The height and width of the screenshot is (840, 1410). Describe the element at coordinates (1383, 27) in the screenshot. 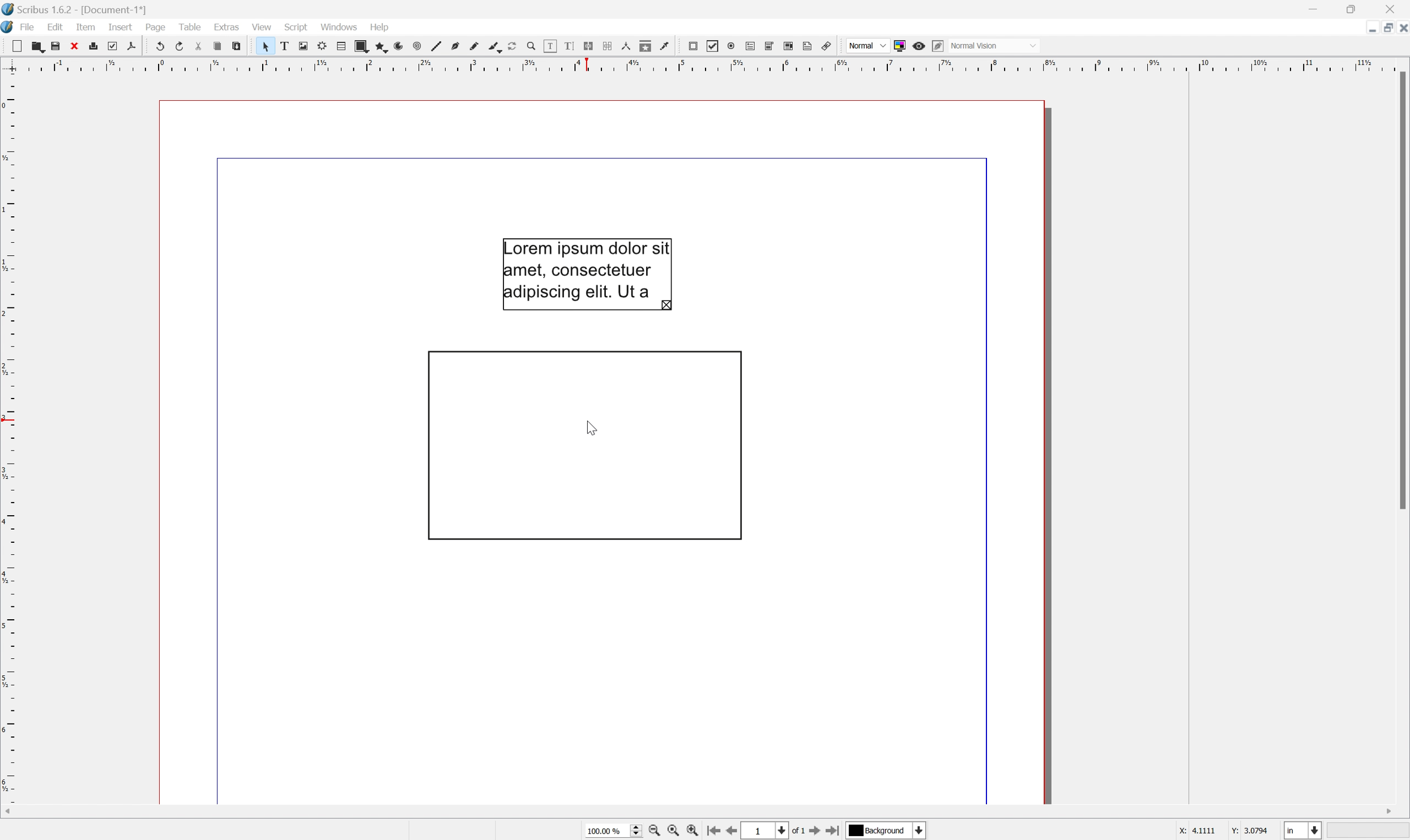

I see `Restore down` at that location.